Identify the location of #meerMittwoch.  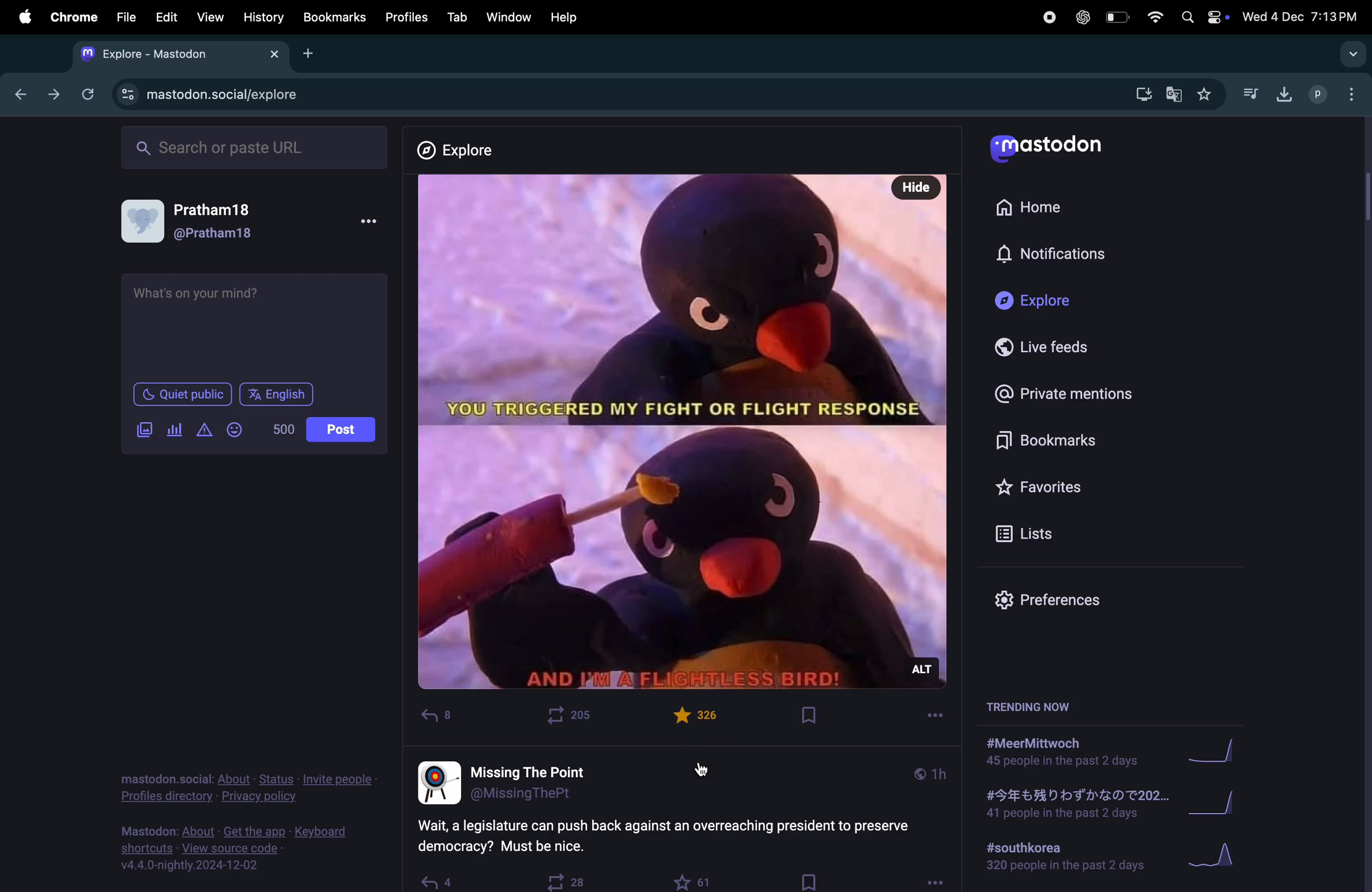
(1066, 753).